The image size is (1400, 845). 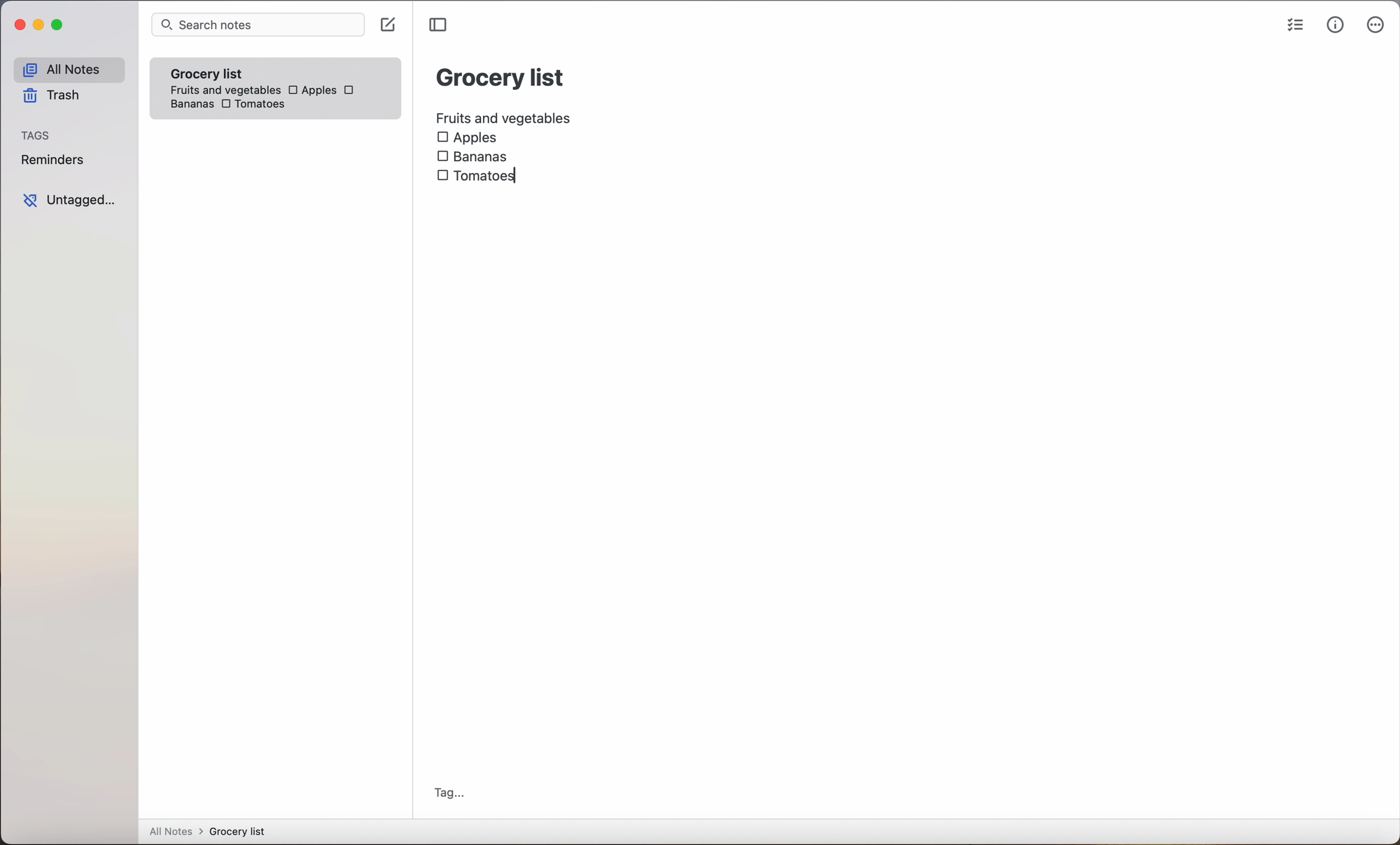 I want to click on metrics, so click(x=1335, y=26).